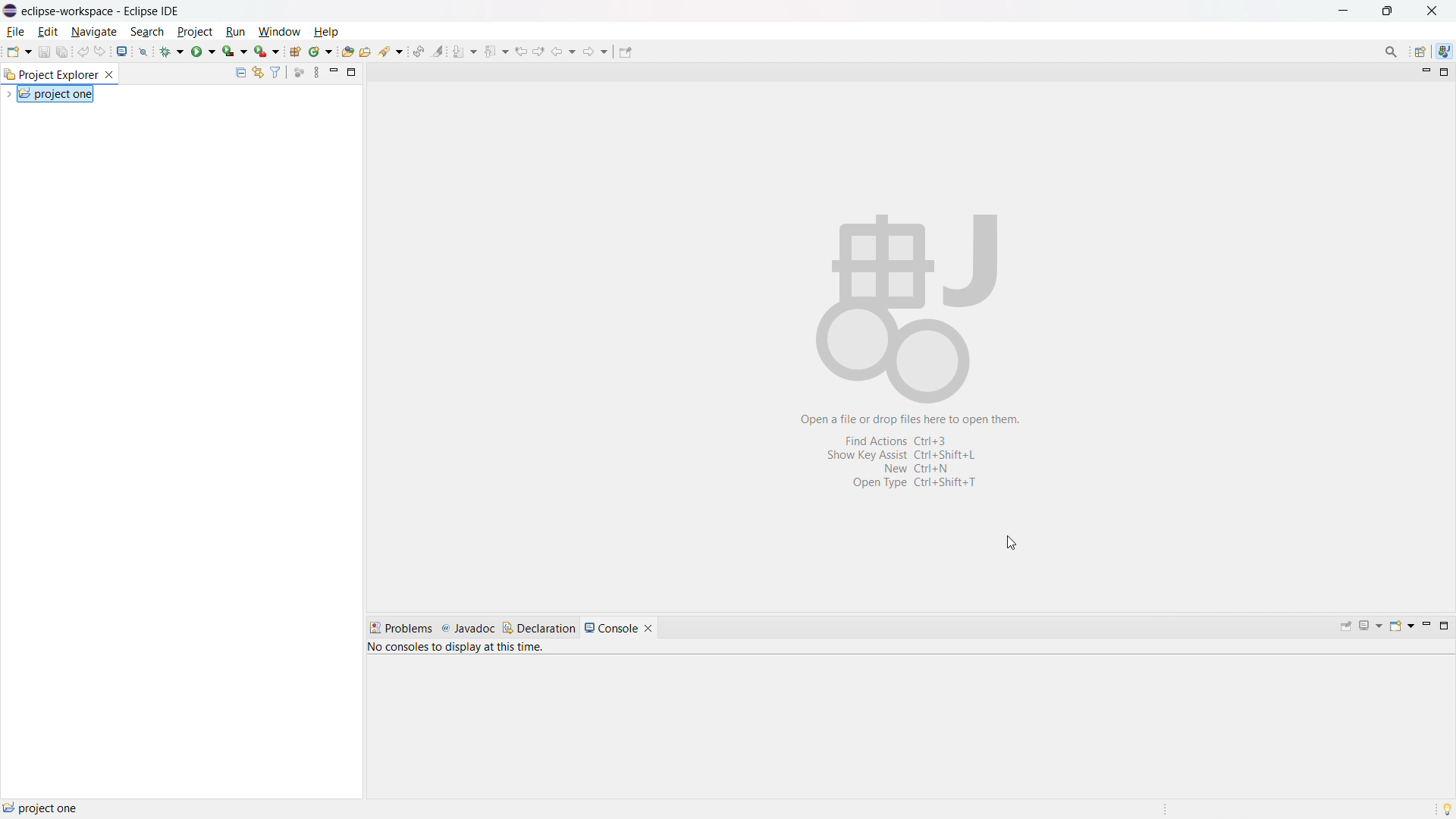  Describe the element at coordinates (316, 72) in the screenshot. I see `view menu` at that location.